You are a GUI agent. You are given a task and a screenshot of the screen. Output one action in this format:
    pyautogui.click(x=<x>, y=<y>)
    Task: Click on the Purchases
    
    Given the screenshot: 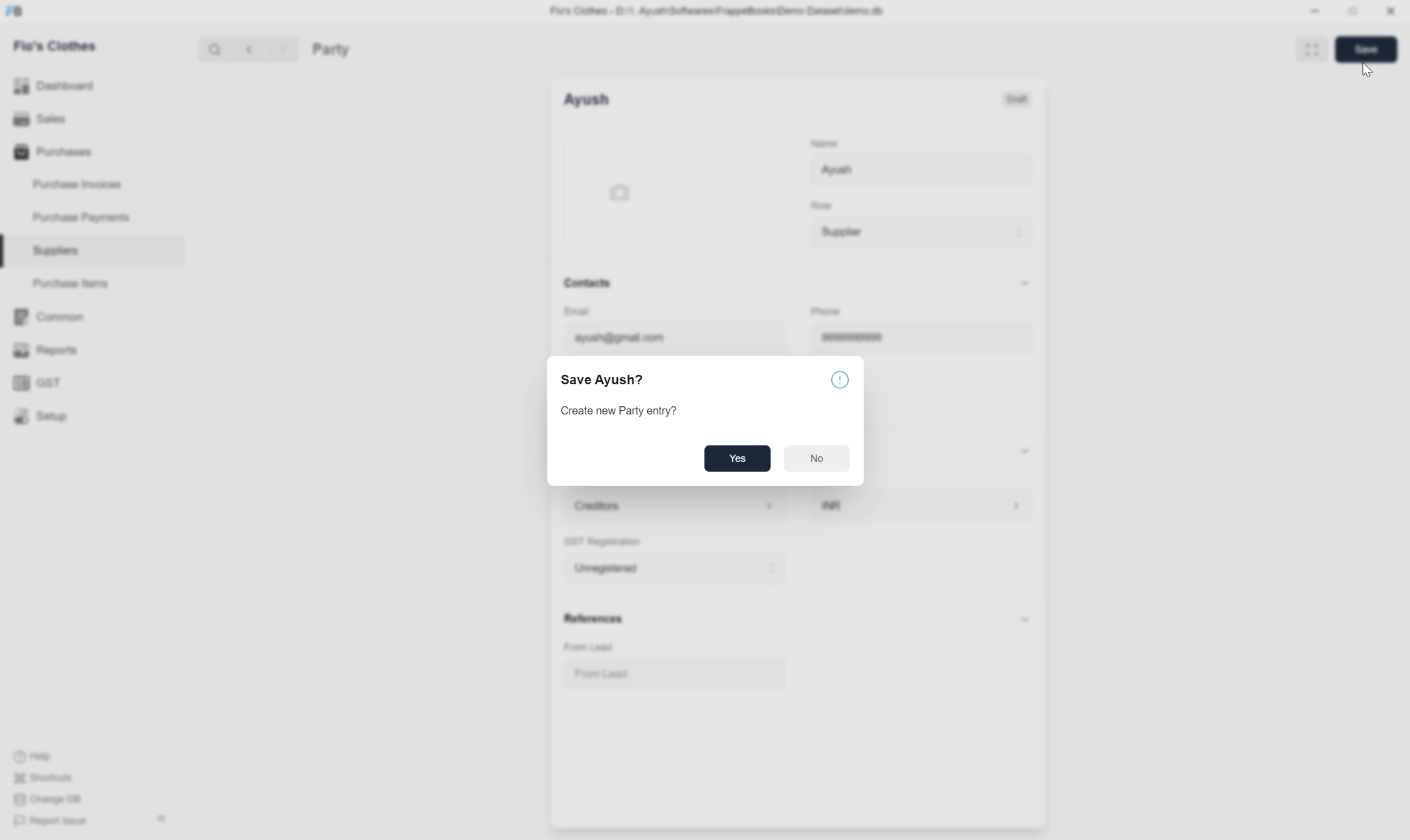 What is the action you would take?
    pyautogui.click(x=91, y=152)
    